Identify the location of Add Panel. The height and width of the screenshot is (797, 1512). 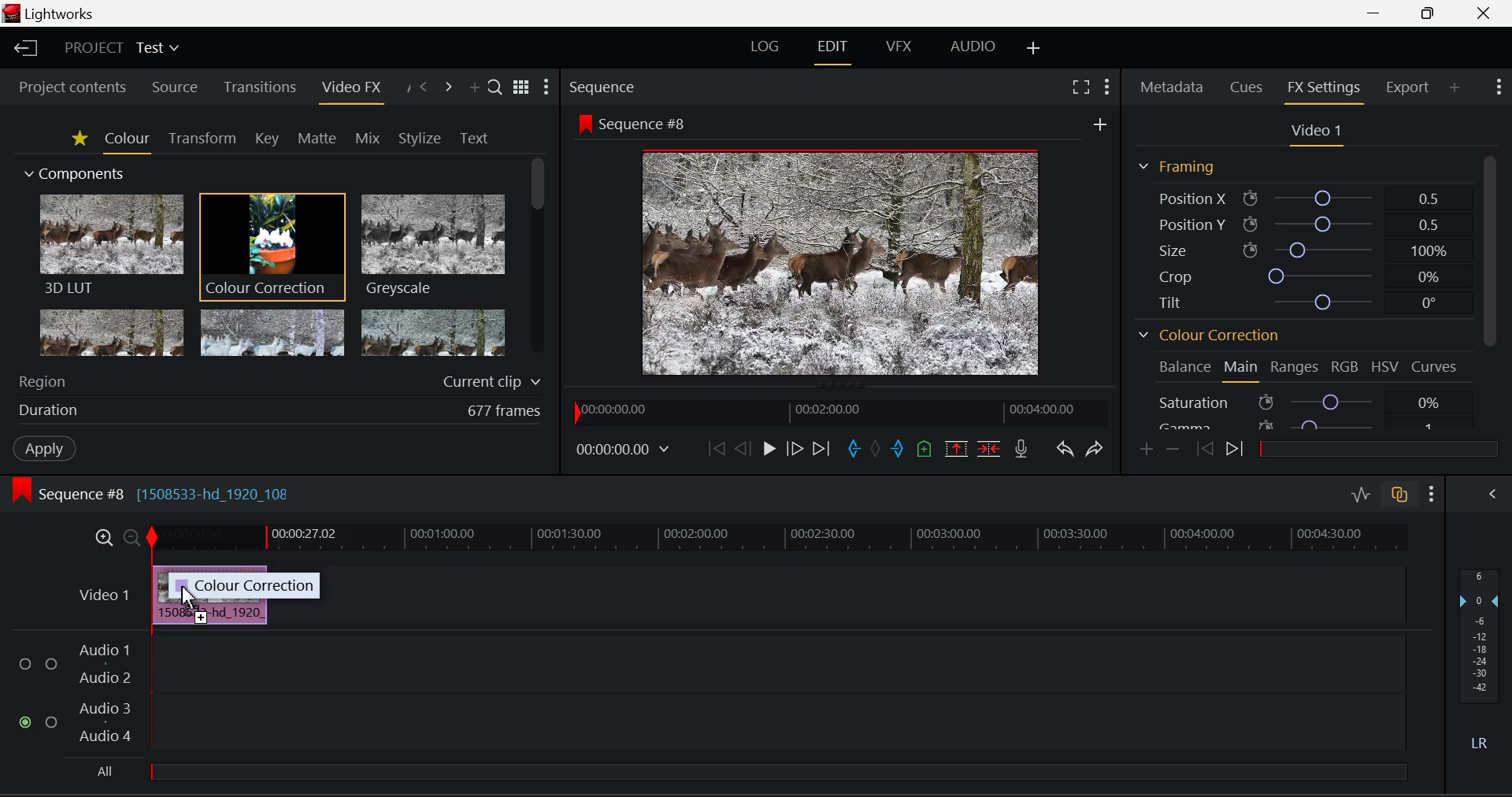
(472, 87).